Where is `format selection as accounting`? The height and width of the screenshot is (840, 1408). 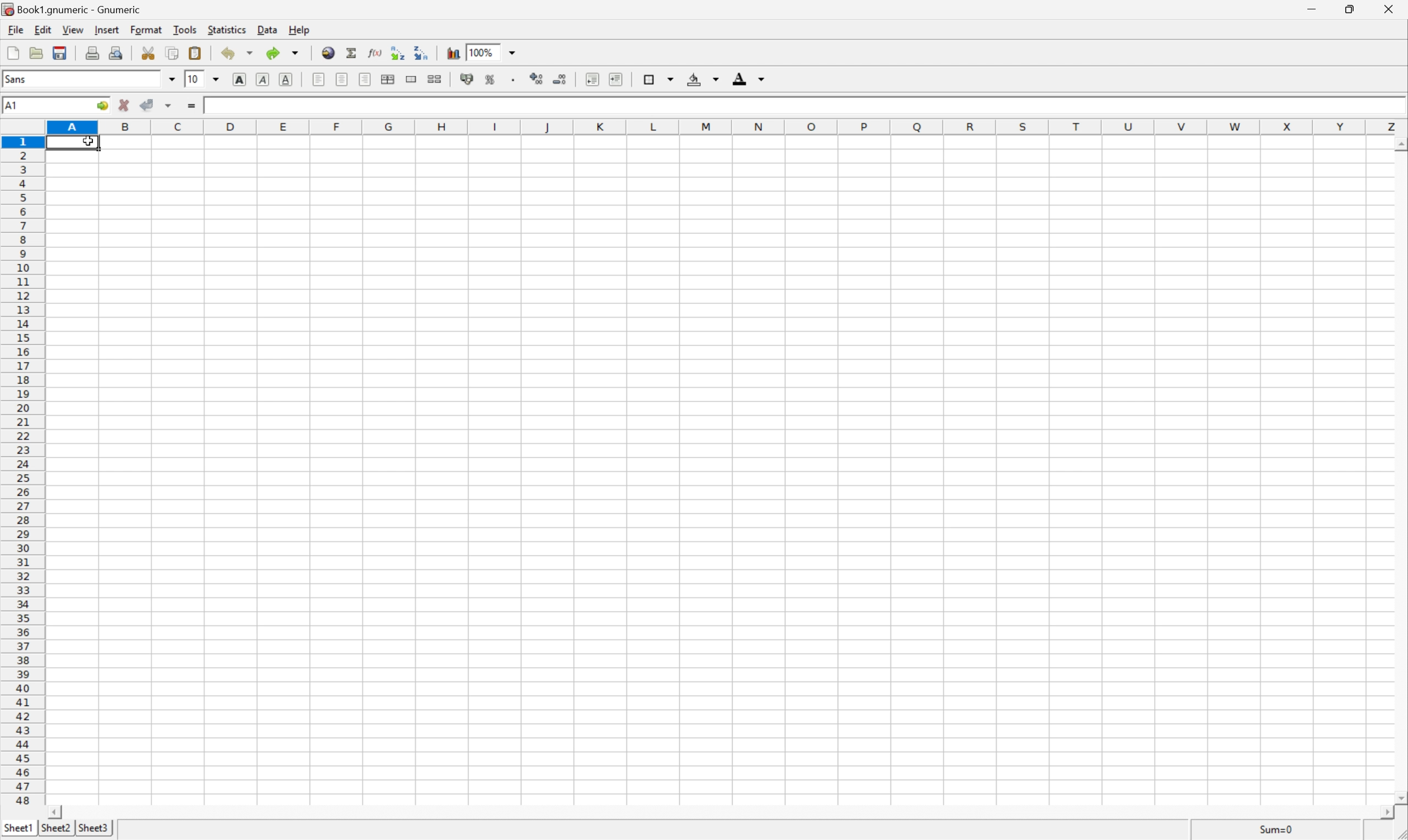 format selection as accounting is located at coordinates (468, 79).